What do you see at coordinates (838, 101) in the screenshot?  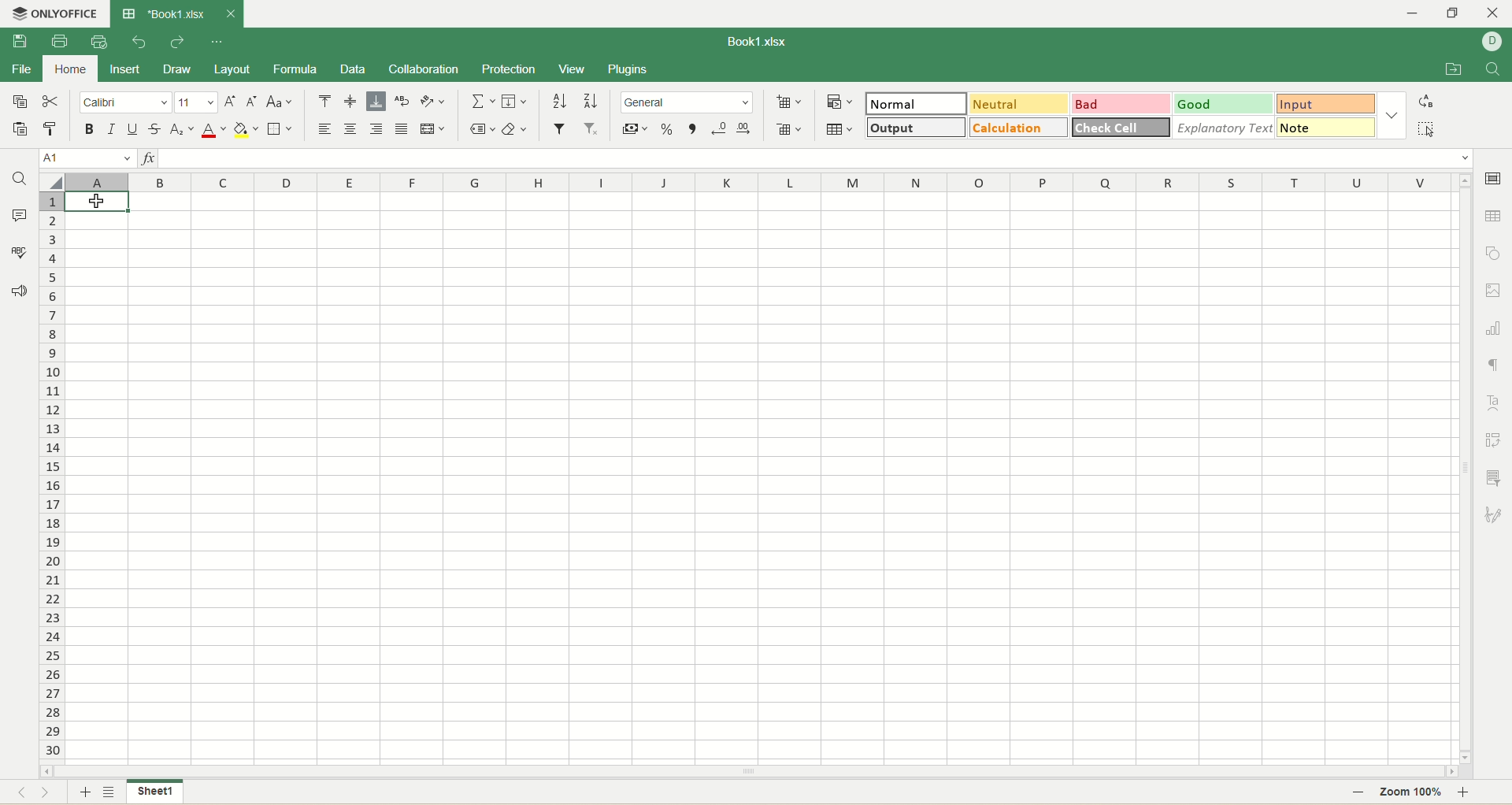 I see `conditional formatting` at bounding box center [838, 101].